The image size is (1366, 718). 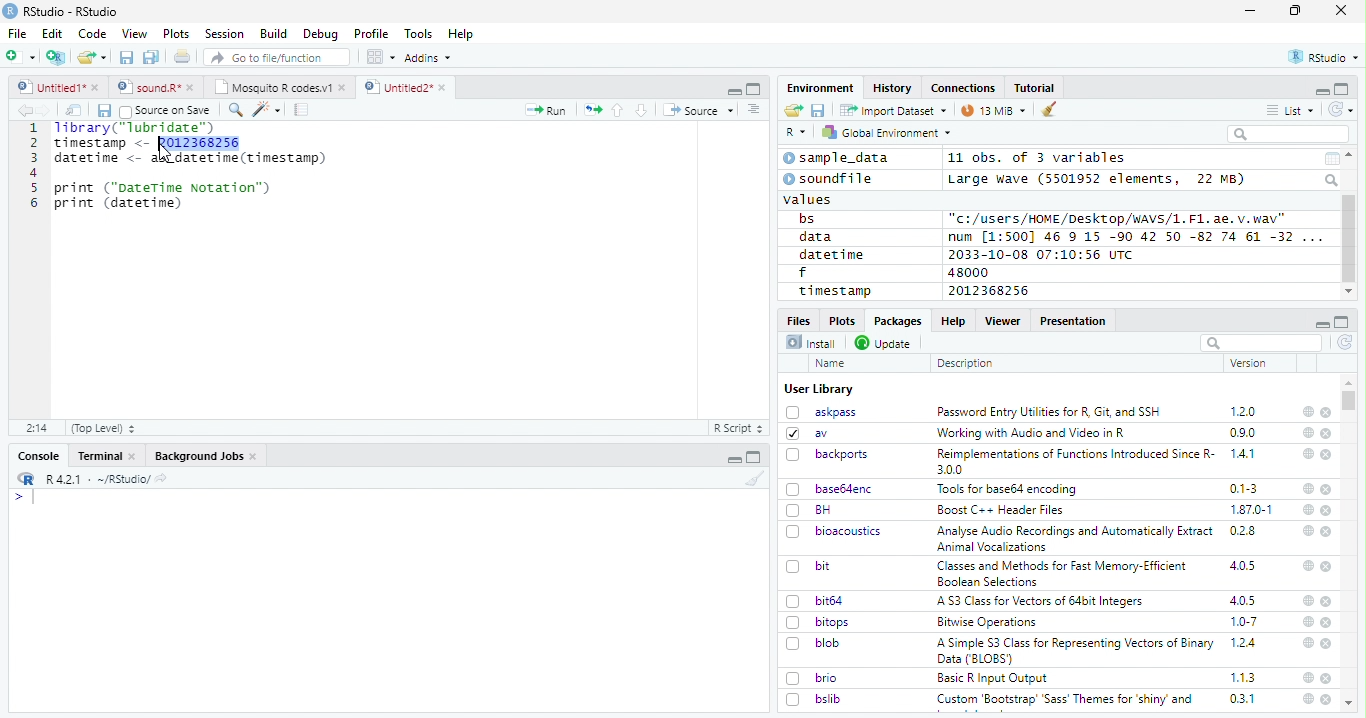 I want to click on RStudio, so click(x=1325, y=58).